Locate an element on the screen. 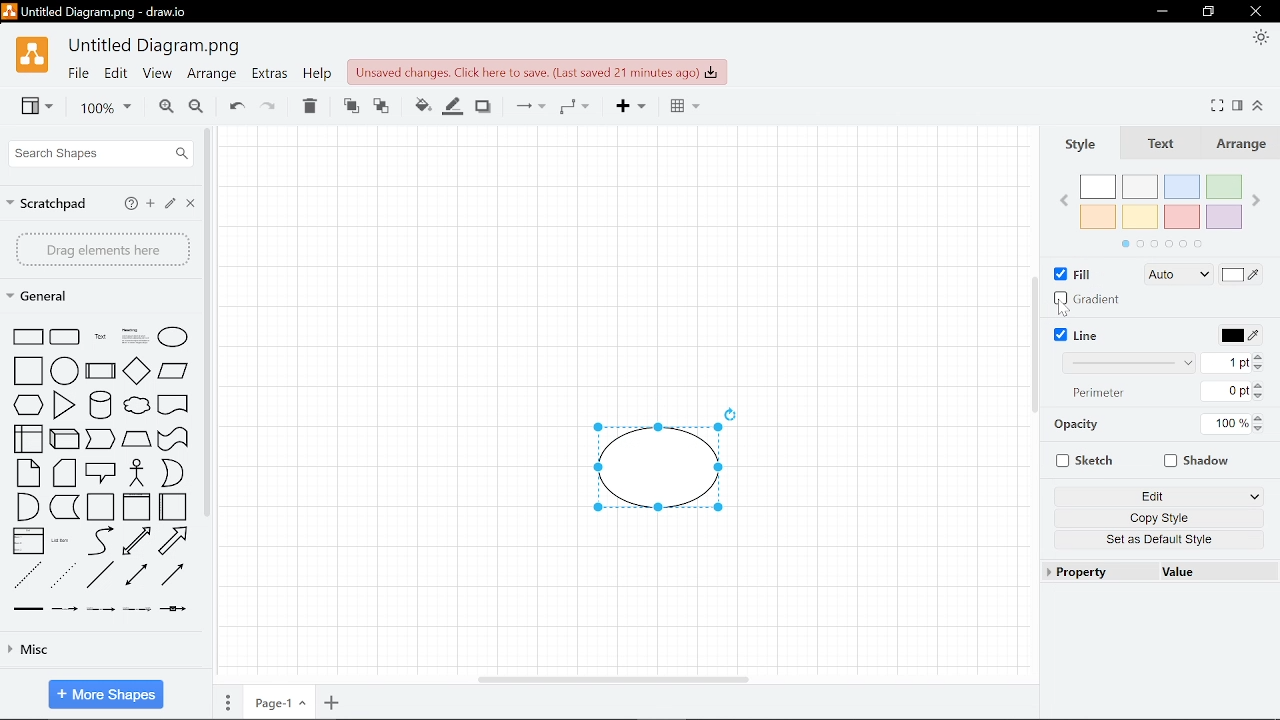 Image resolution: width=1280 pixels, height=720 pixels. Zoom in is located at coordinates (165, 106).